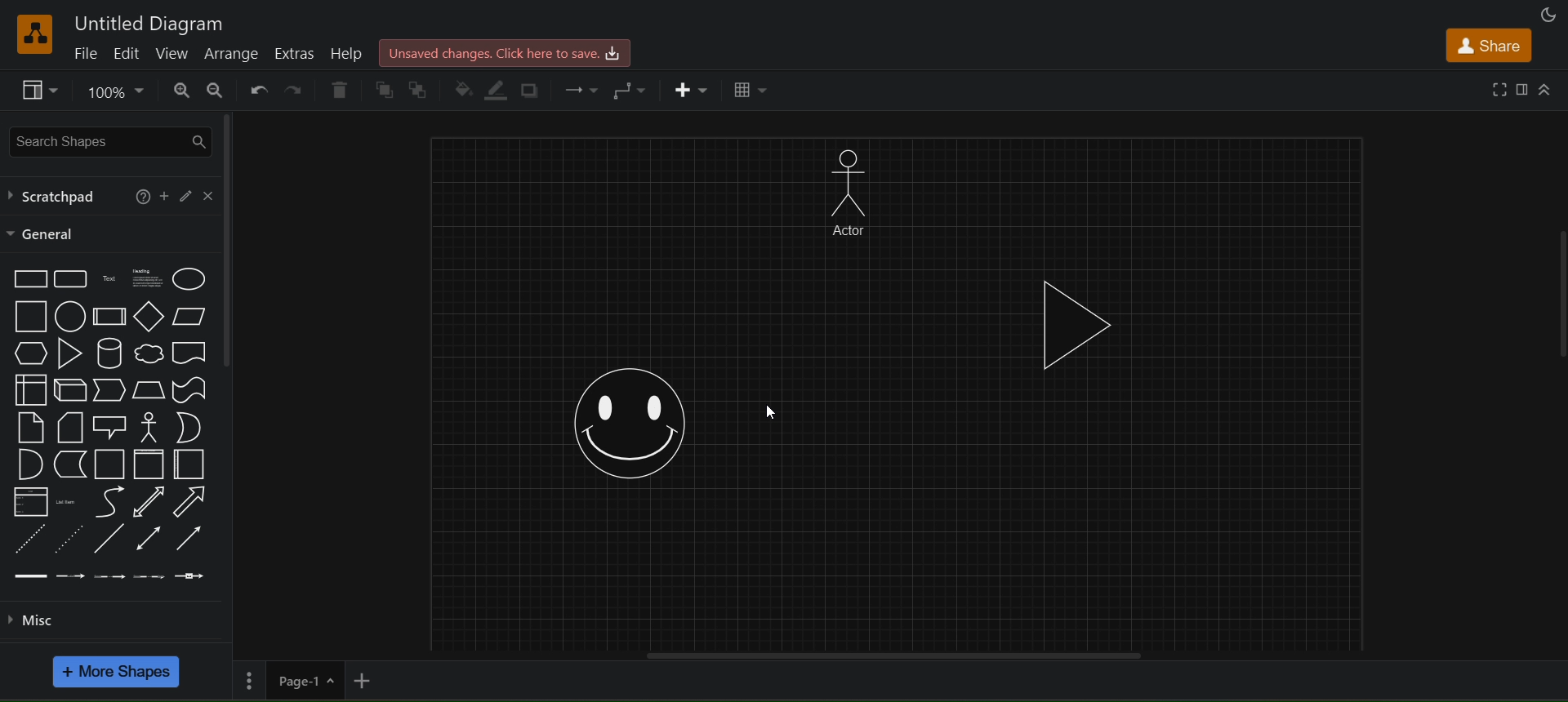 This screenshot has width=1568, height=702. Describe the element at coordinates (216, 92) in the screenshot. I see `zoom out` at that location.